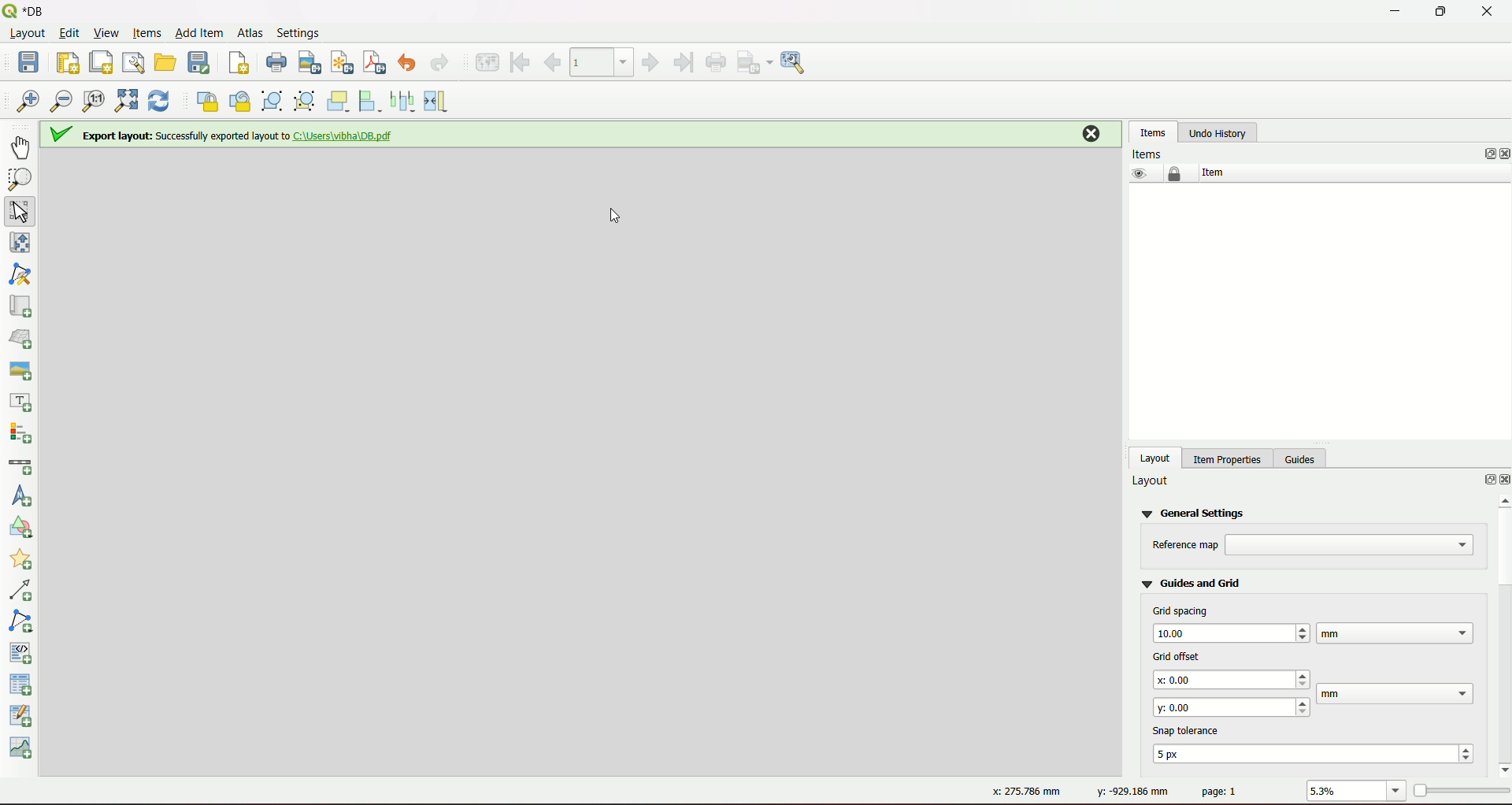  What do you see at coordinates (239, 101) in the screenshot?
I see `unlock all items` at bounding box center [239, 101].